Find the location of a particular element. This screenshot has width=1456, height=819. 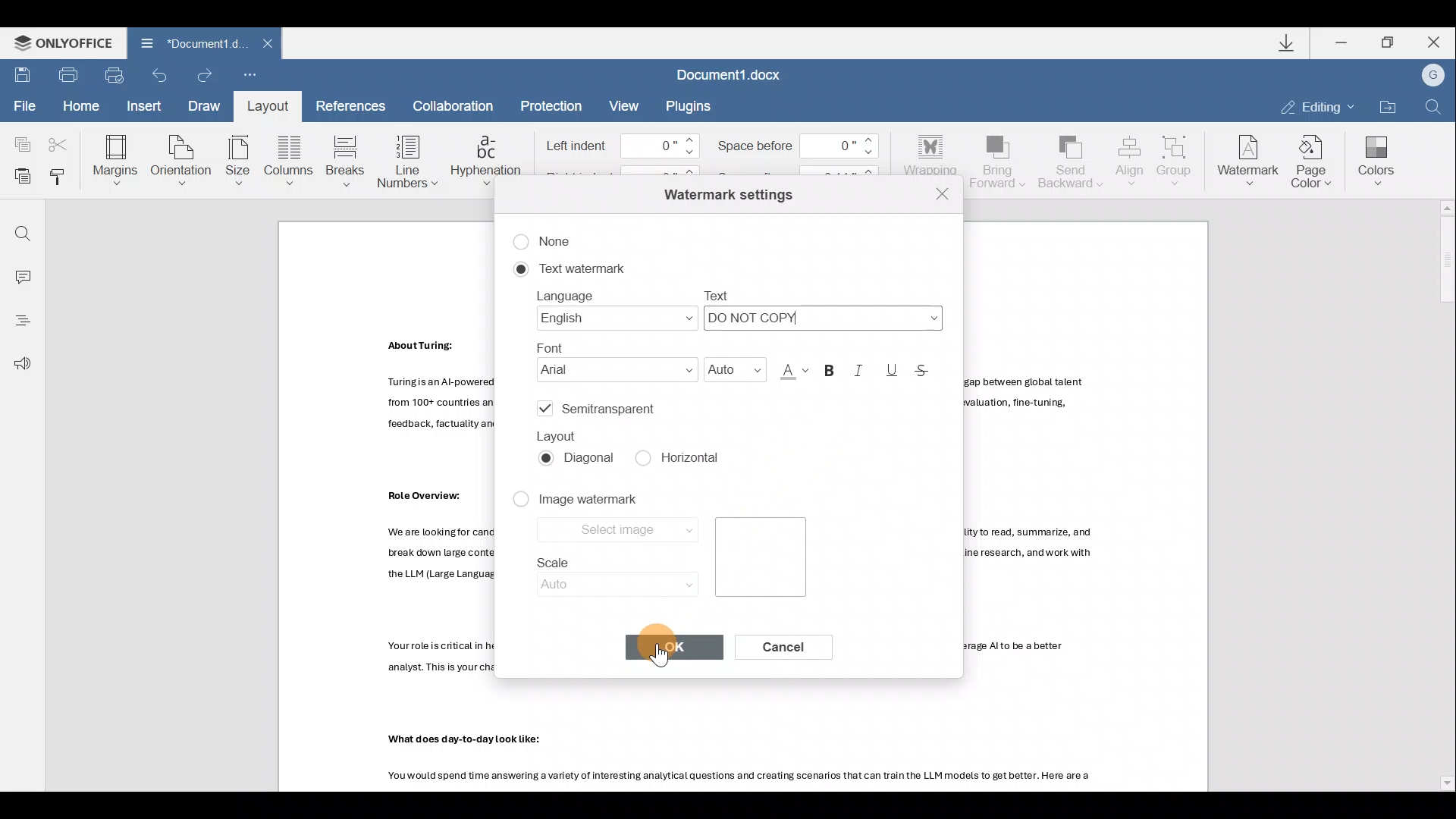

Scale is located at coordinates (607, 576).